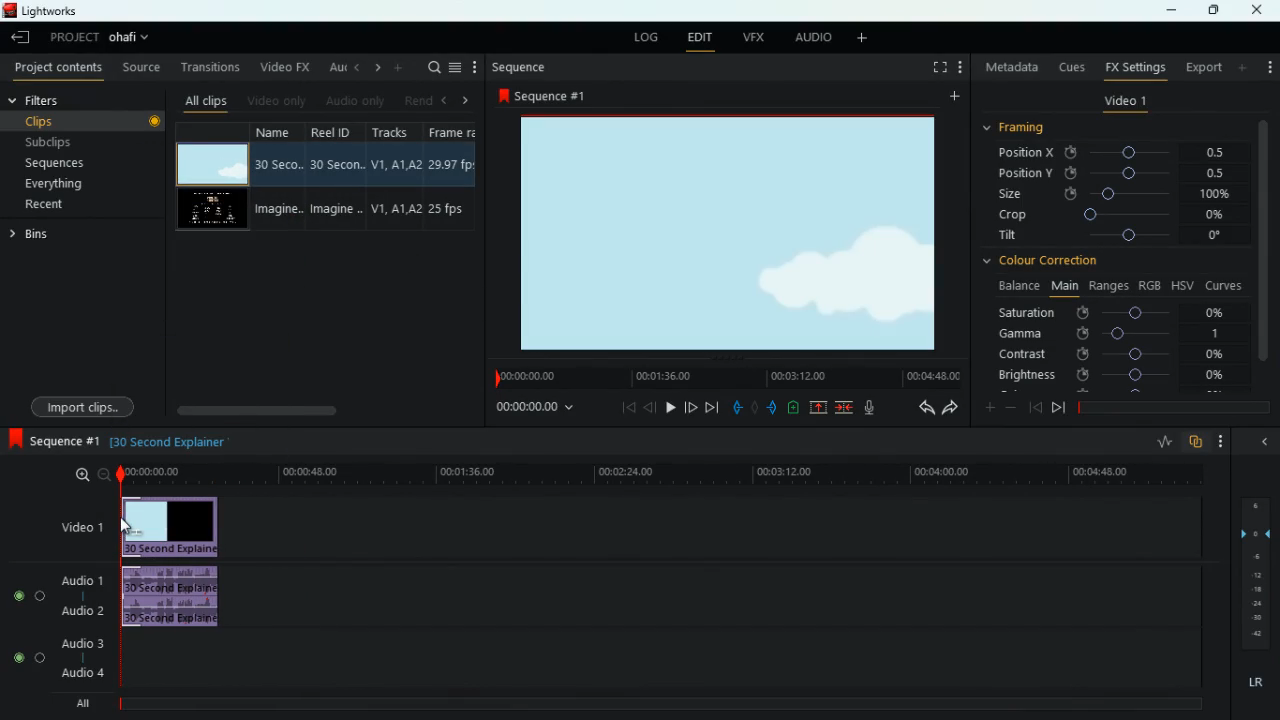  I want to click on V1, A1, A2, so click(395, 161).